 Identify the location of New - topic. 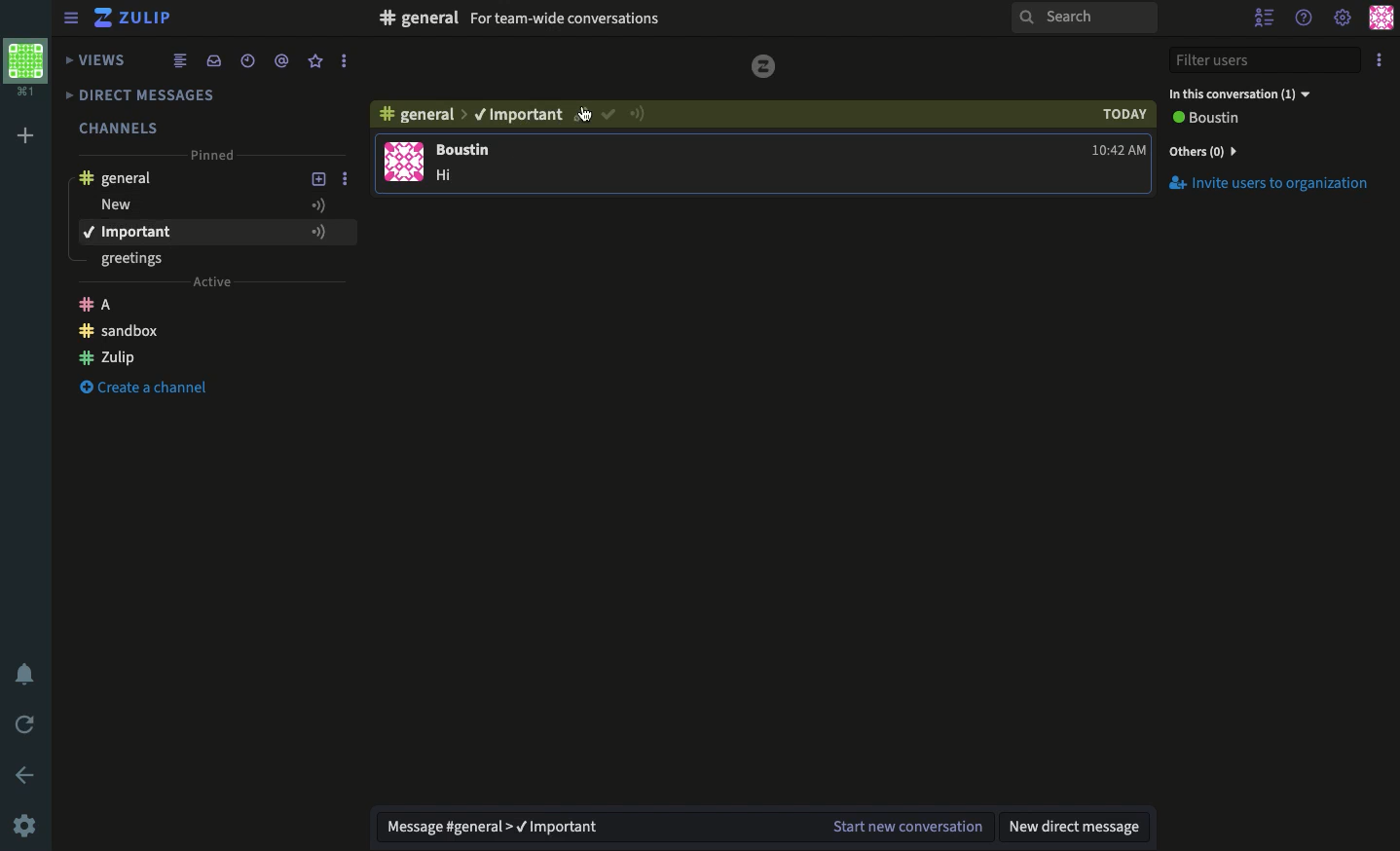
(194, 205).